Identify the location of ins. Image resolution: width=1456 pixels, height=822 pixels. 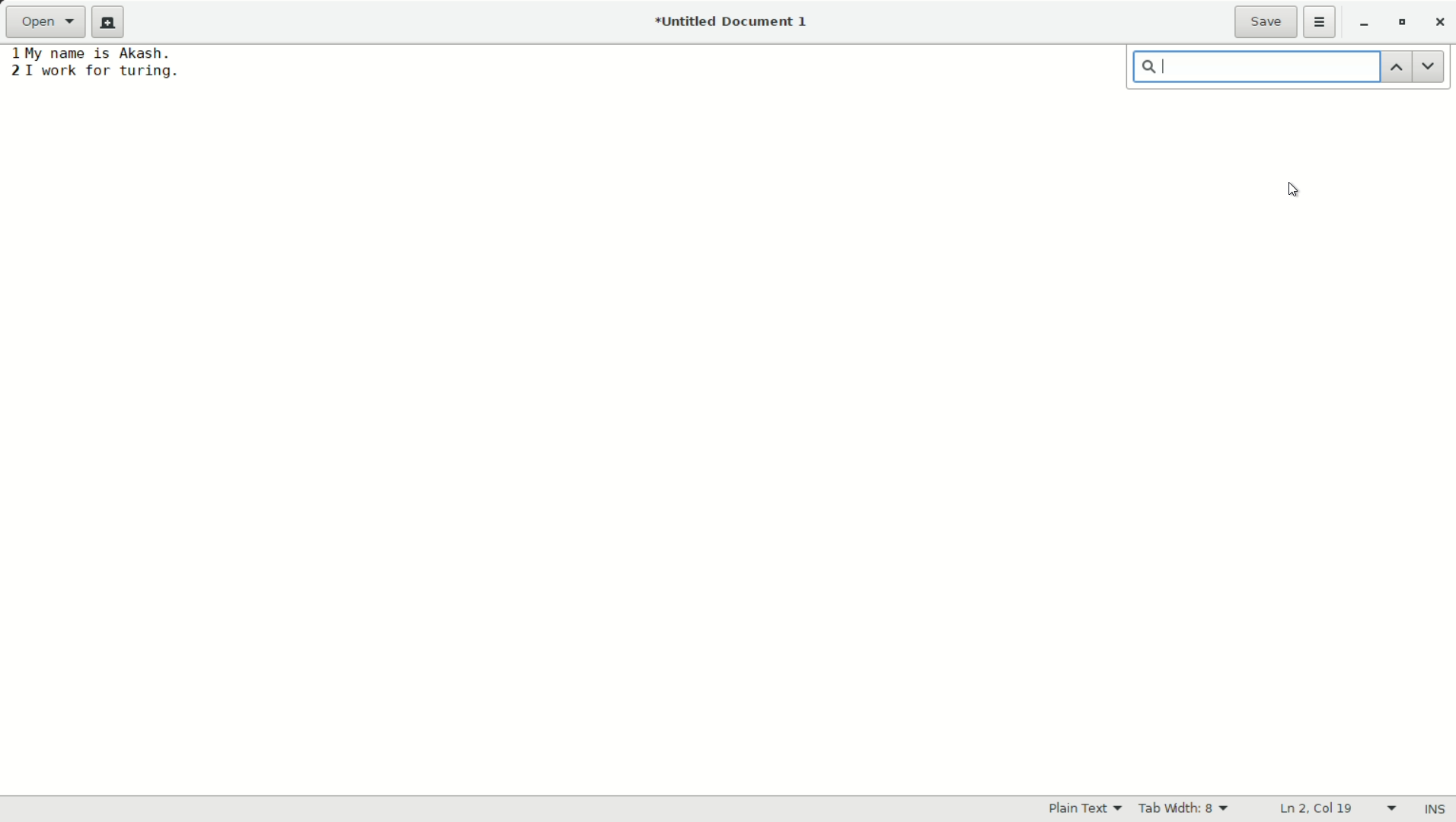
(1432, 808).